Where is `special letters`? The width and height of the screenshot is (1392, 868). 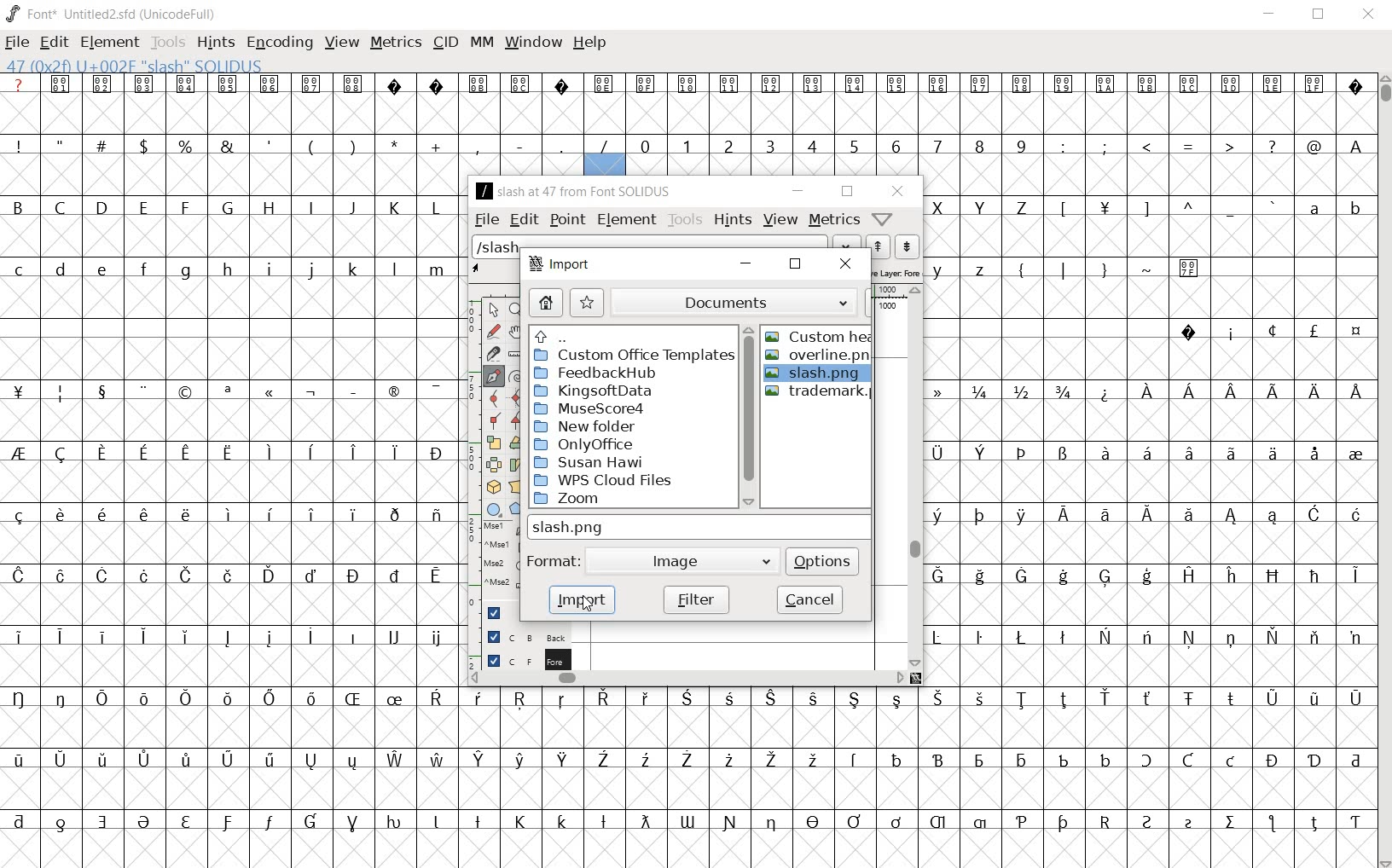 special letters is located at coordinates (235, 454).